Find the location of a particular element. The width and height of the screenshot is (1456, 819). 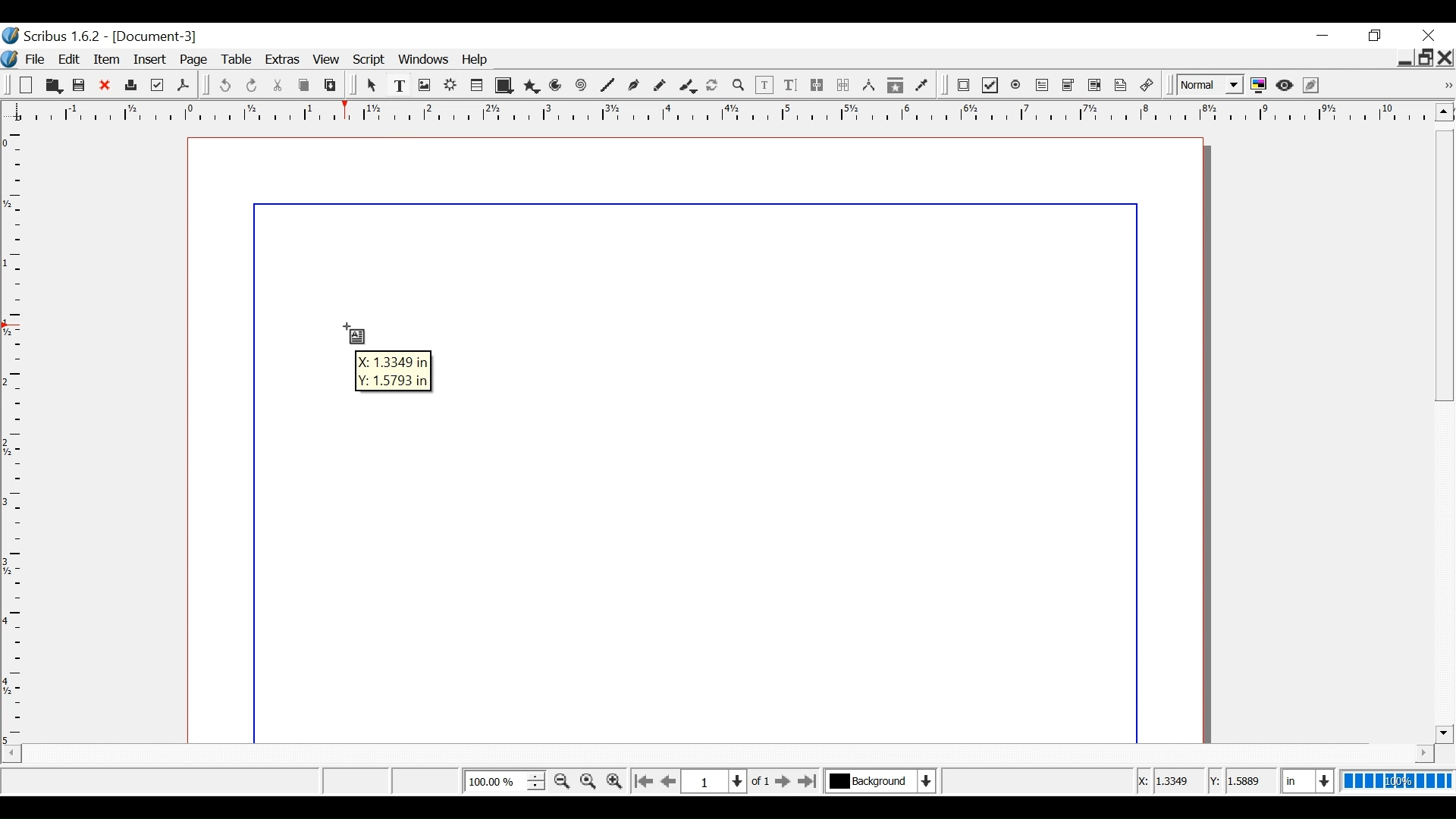

Freehand line is located at coordinates (661, 87).